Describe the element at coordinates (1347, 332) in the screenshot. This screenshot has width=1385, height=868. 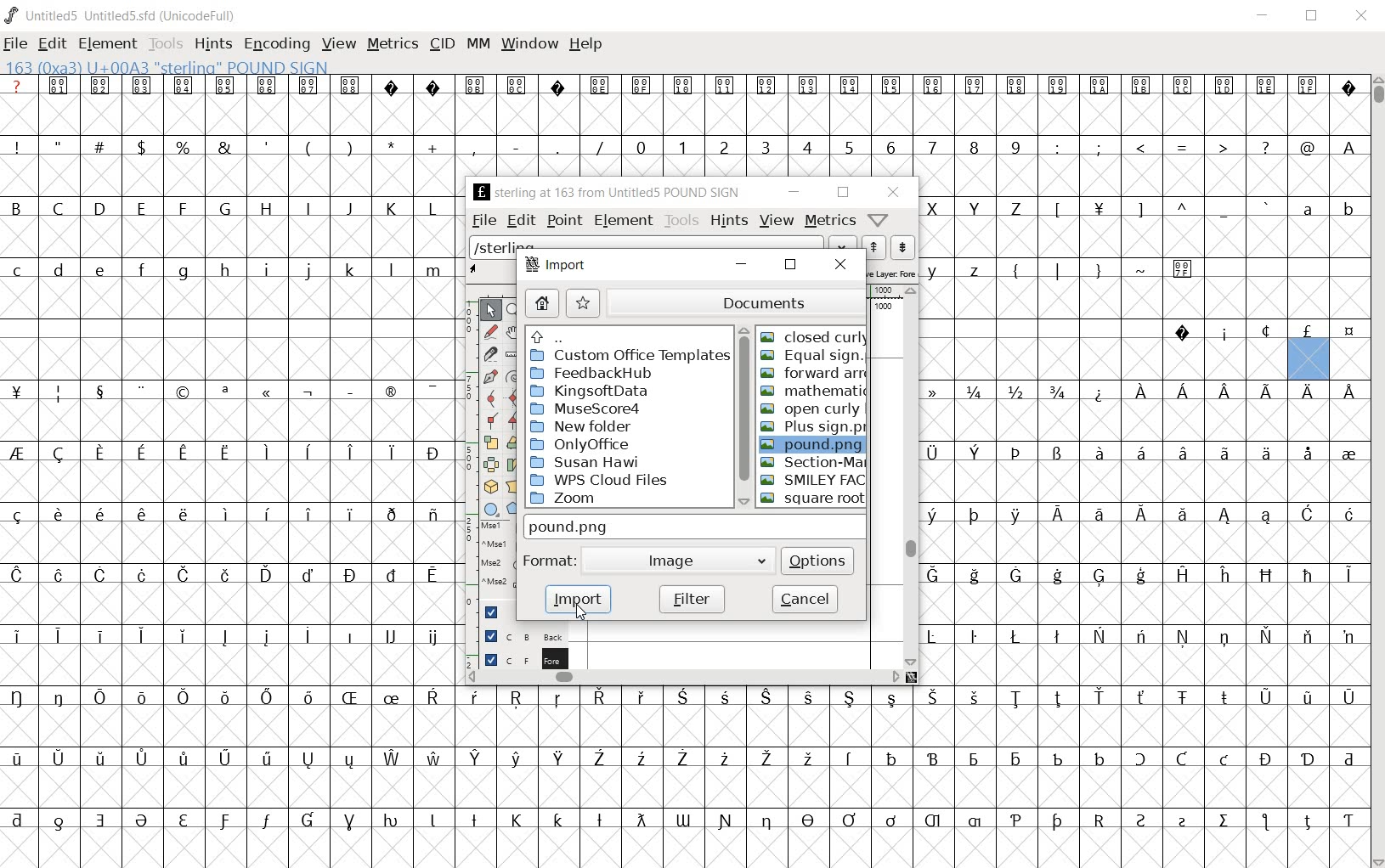
I see `Symbol` at that location.